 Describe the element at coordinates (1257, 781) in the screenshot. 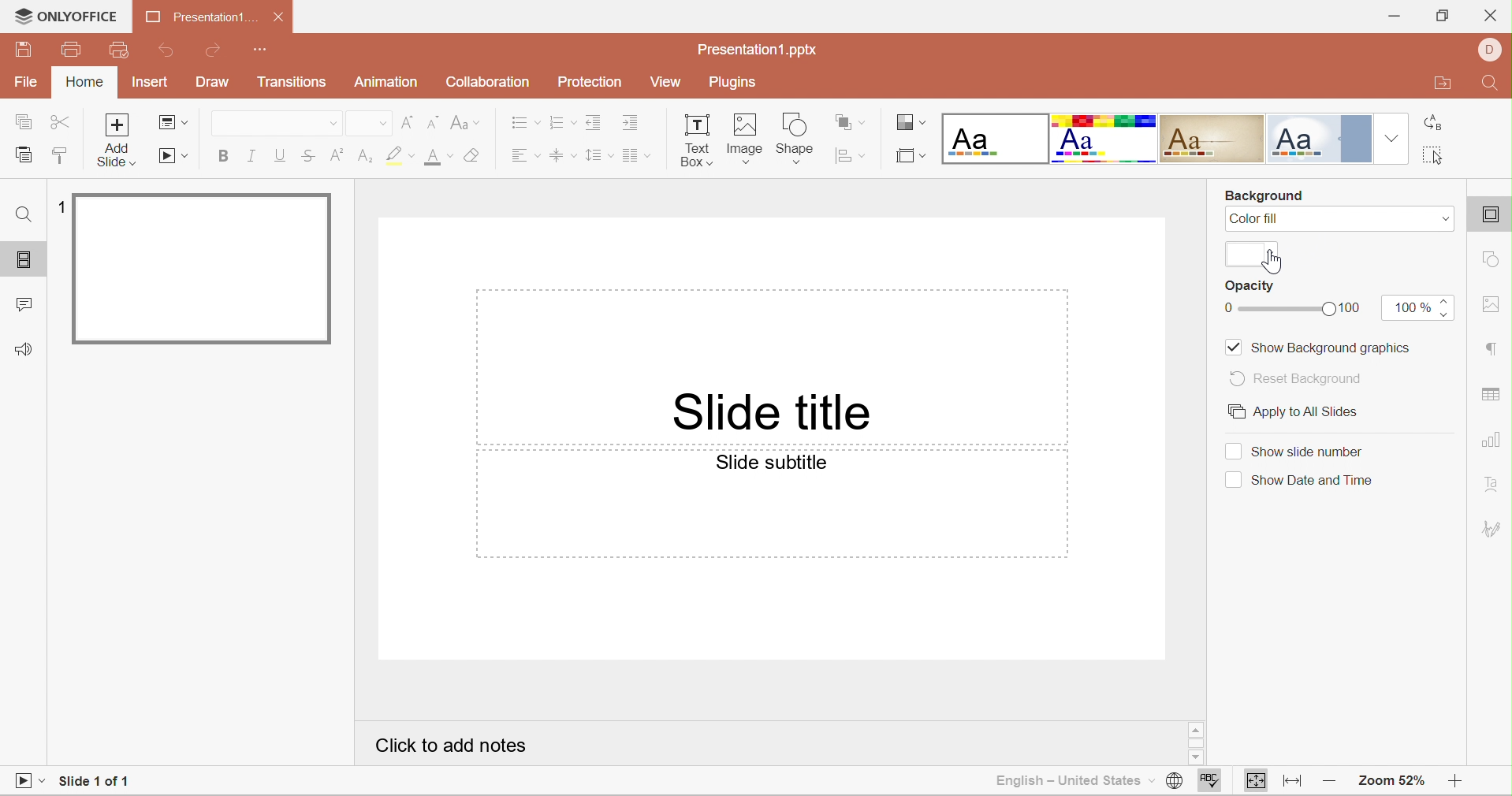

I see `Fit to slide` at that location.